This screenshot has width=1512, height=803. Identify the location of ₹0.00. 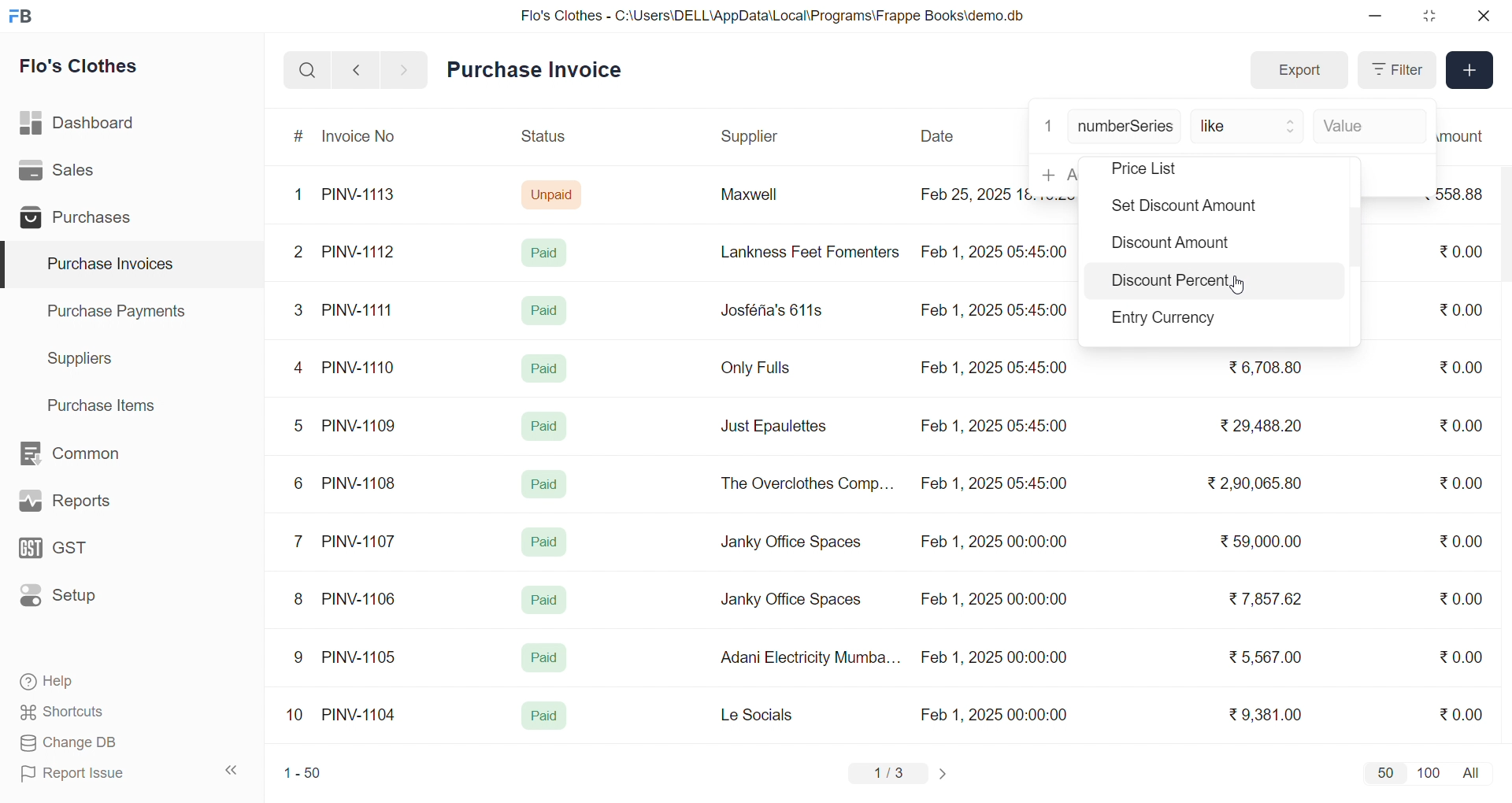
(1452, 426).